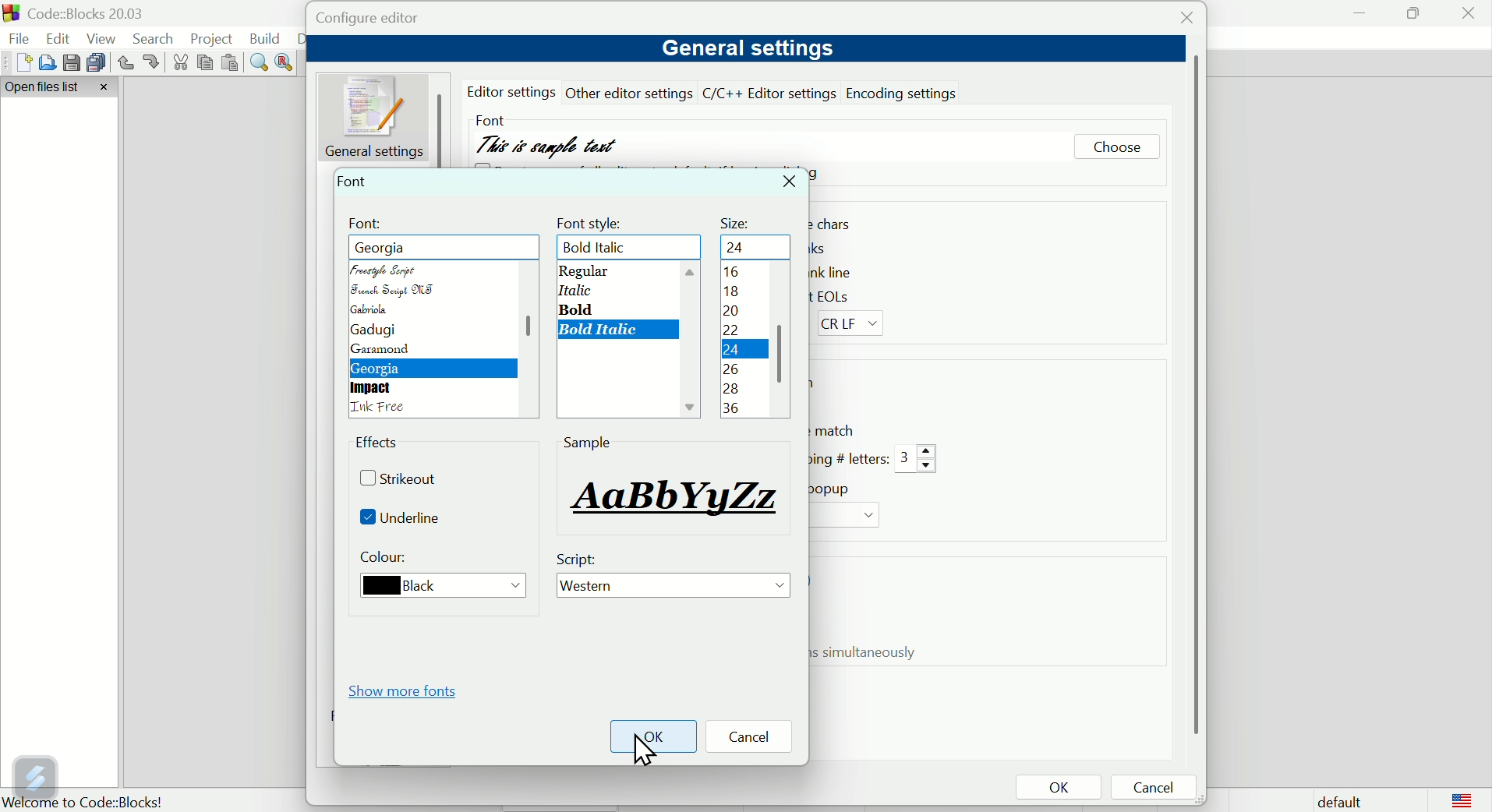  Describe the element at coordinates (383, 351) in the screenshot. I see `Garamond` at that location.